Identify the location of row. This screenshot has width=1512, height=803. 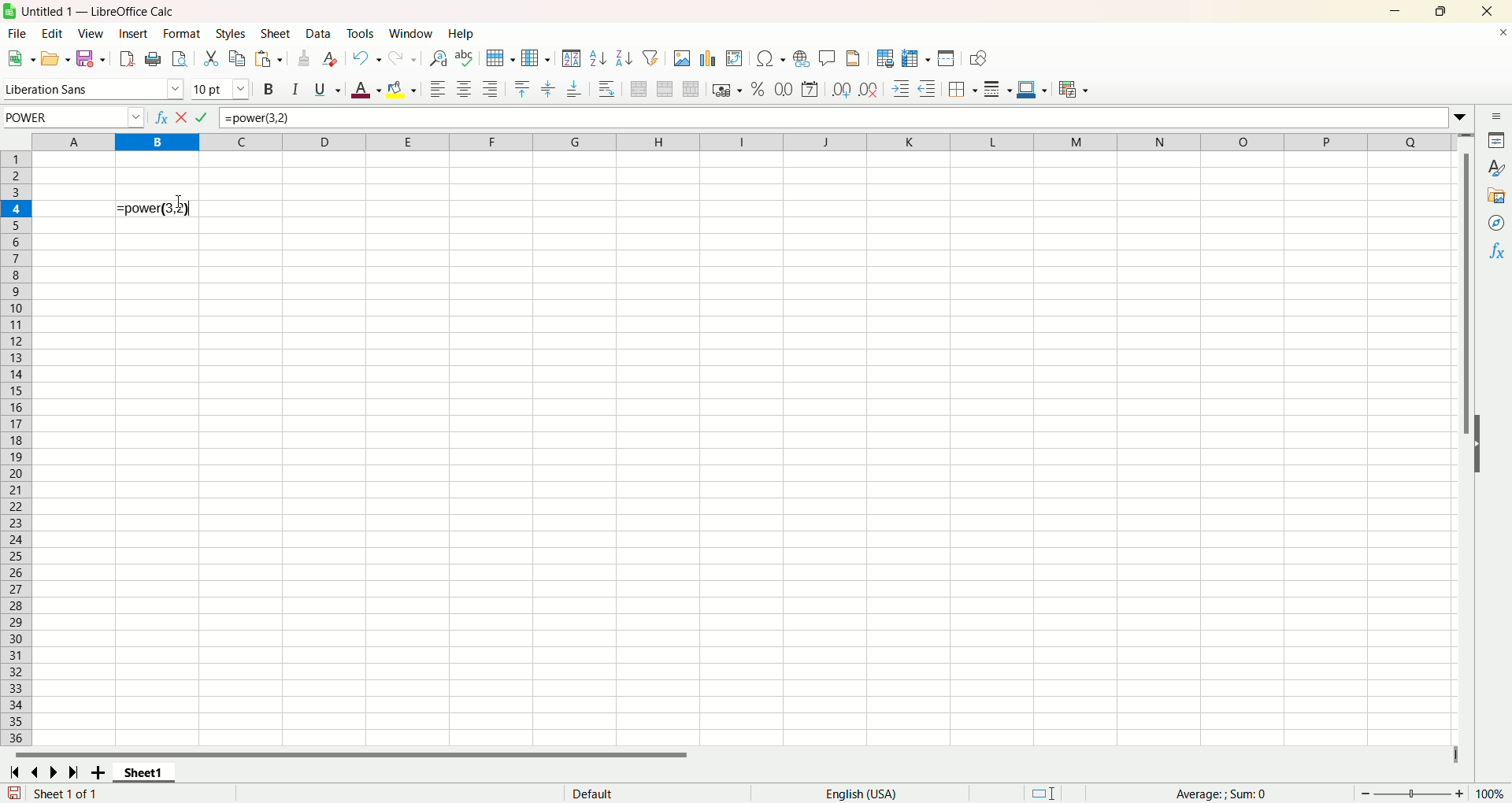
(498, 57).